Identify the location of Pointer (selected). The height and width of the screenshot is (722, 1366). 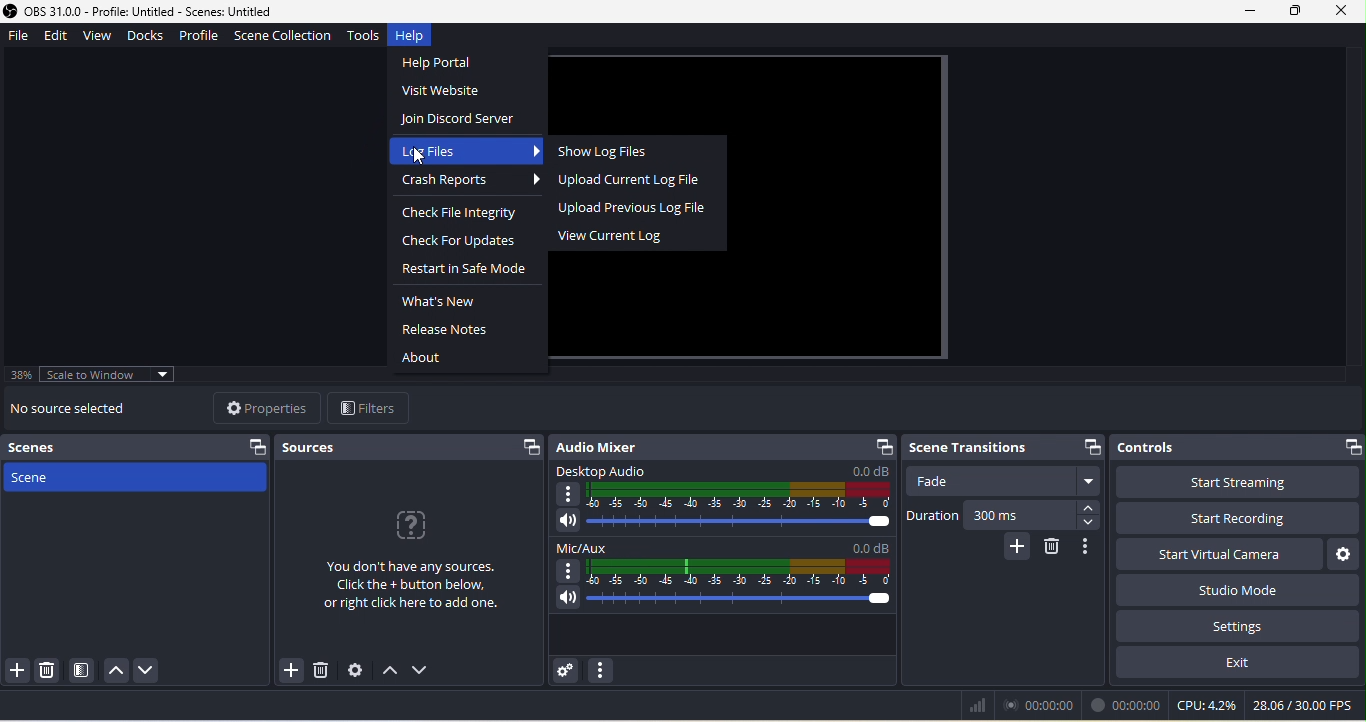
(419, 158).